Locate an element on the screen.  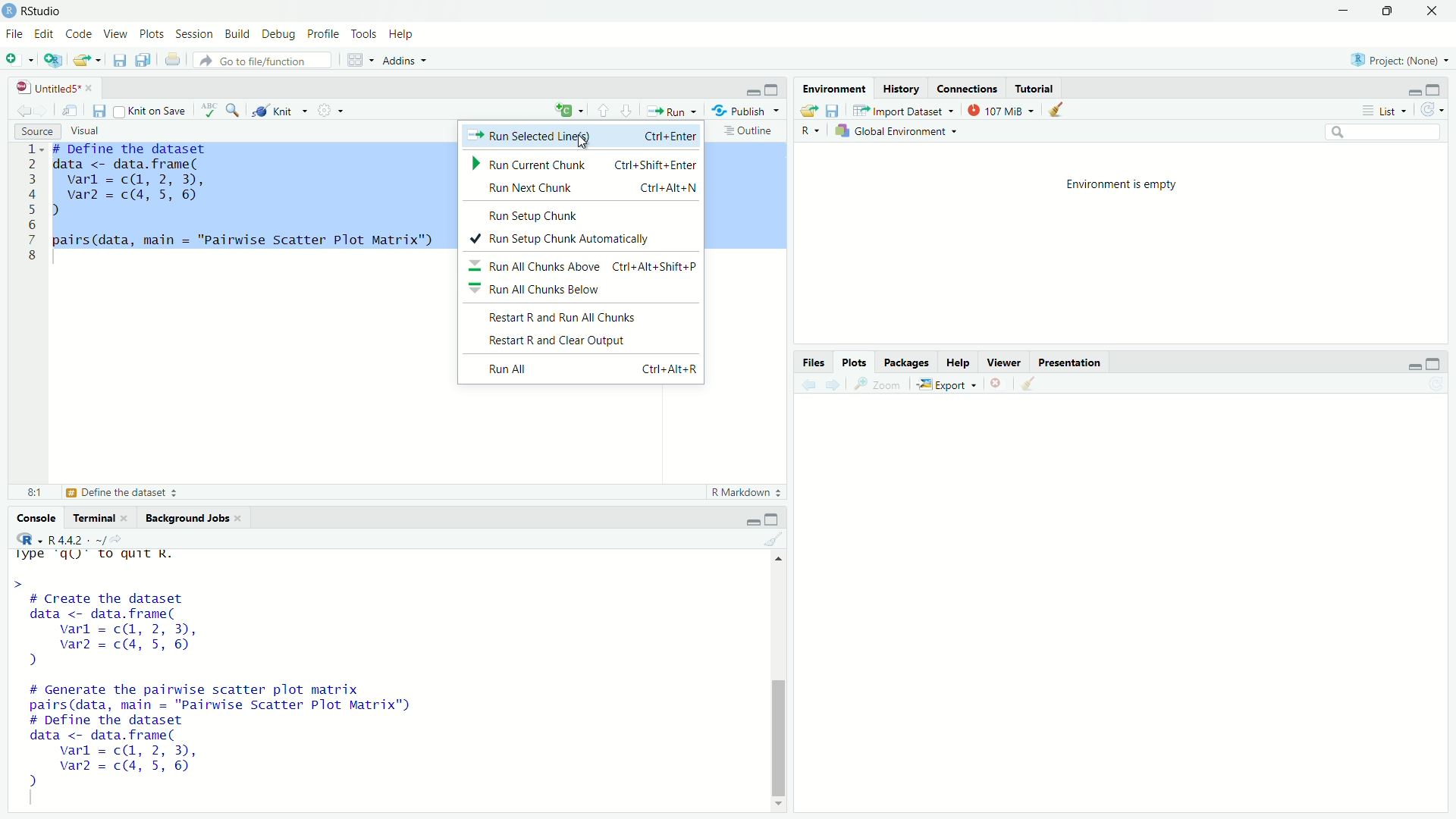
Viewer is located at coordinates (1003, 362).